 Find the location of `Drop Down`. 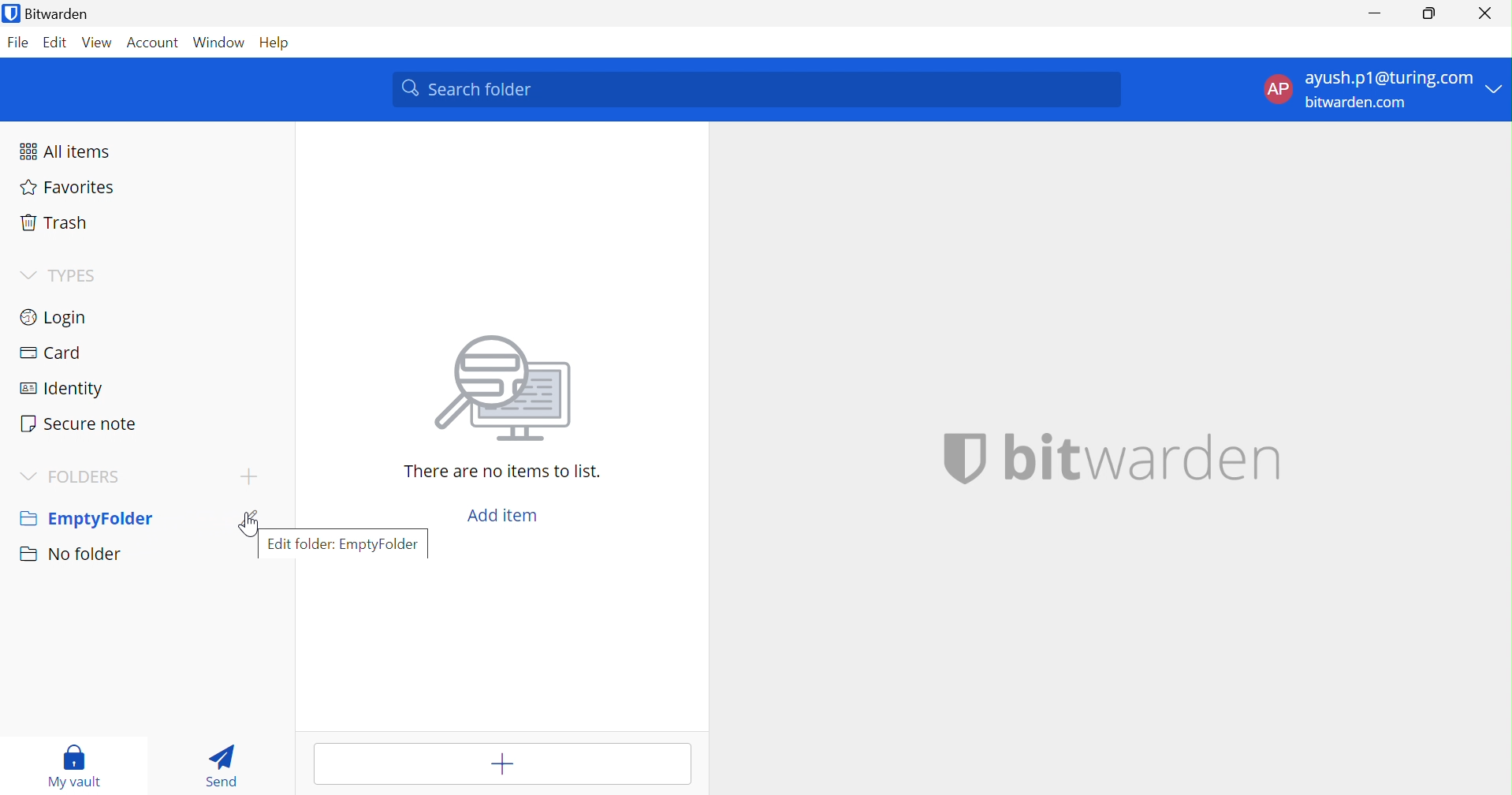

Drop Down is located at coordinates (30, 478).